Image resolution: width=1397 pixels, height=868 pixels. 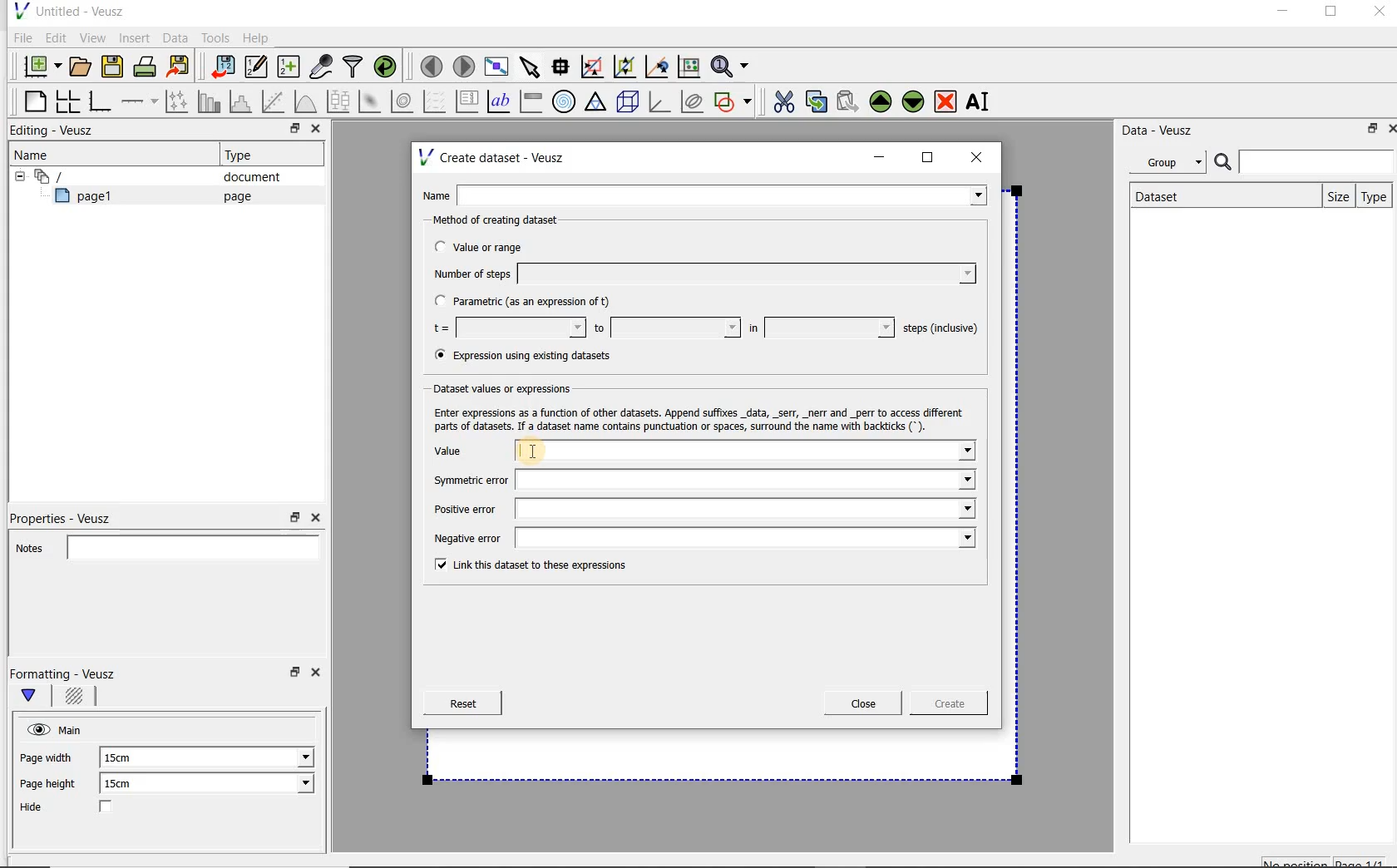 What do you see at coordinates (1305, 160) in the screenshot?
I see `Search bar` at bounding box center [1305, 160].